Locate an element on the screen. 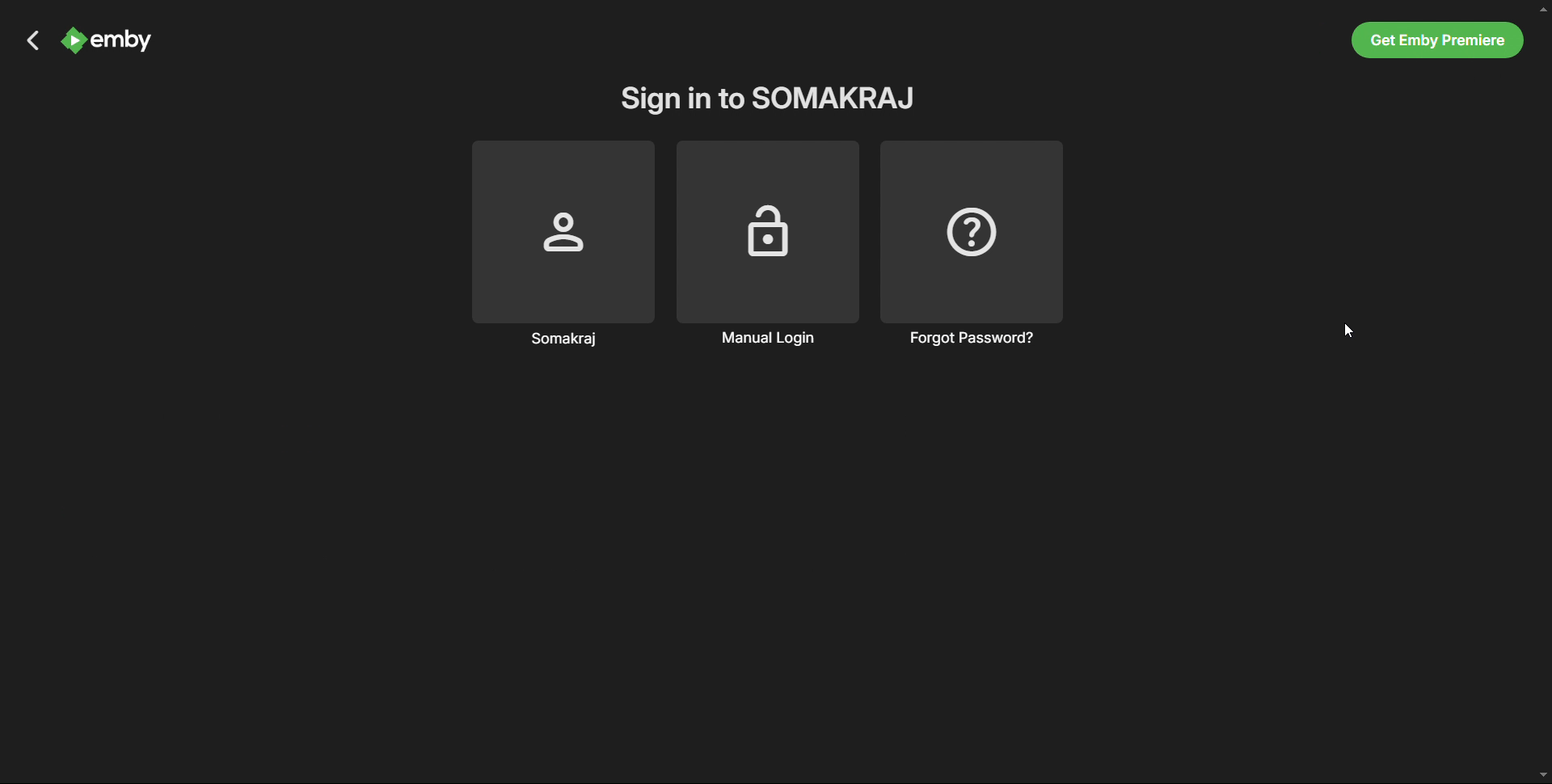  back is located at coordinates (32, 40).